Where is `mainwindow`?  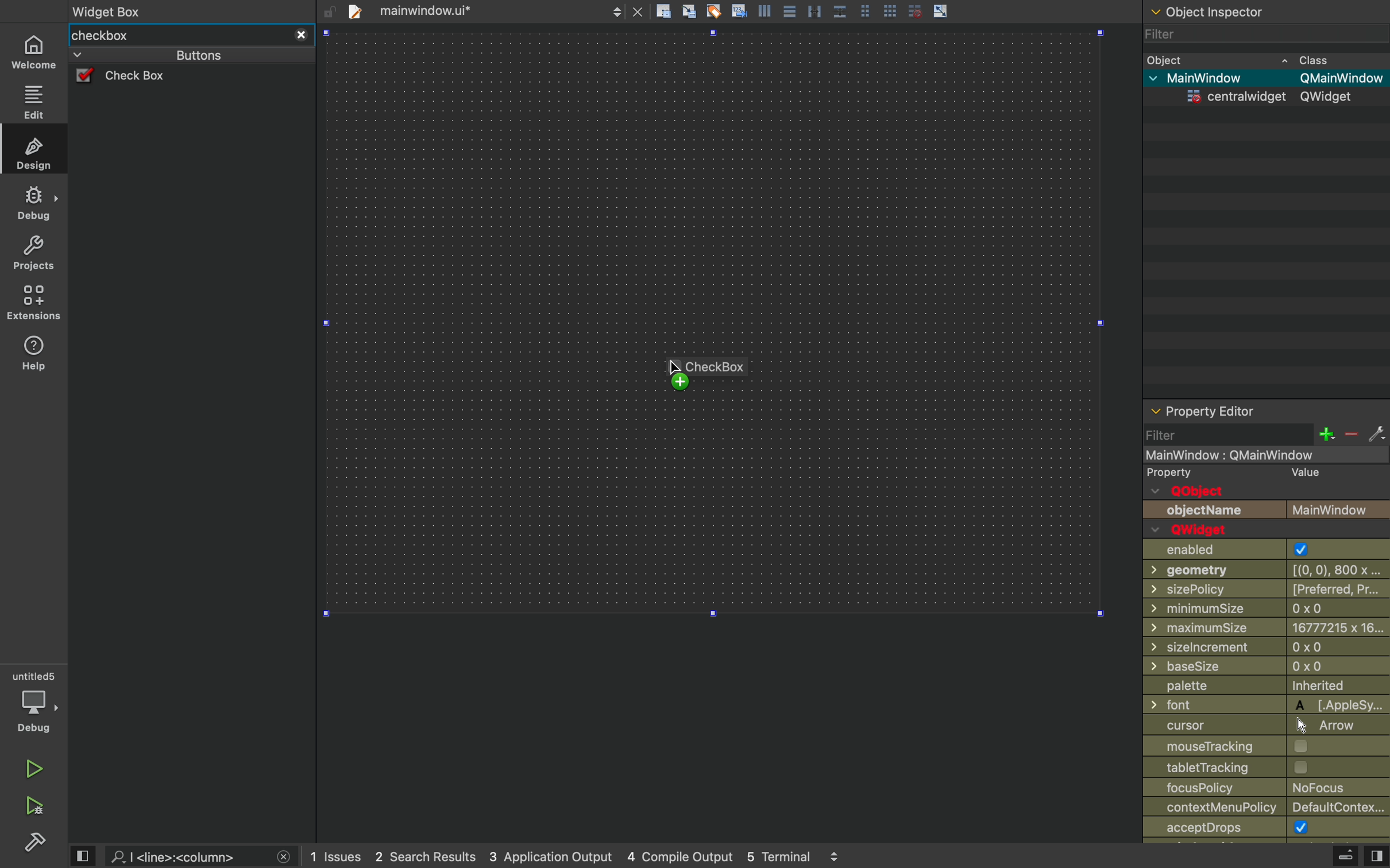
mainwindow is located at coordinates (1250, 456).